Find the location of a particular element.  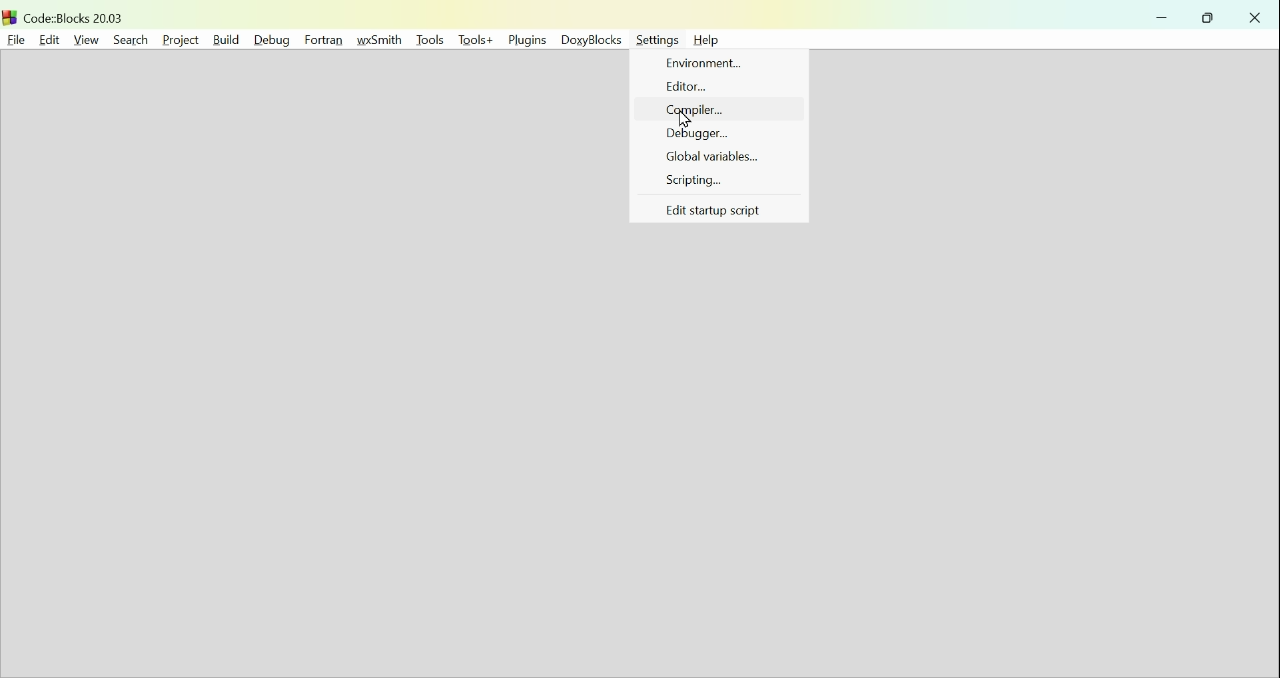

Search is located at coordinates (127, 38).